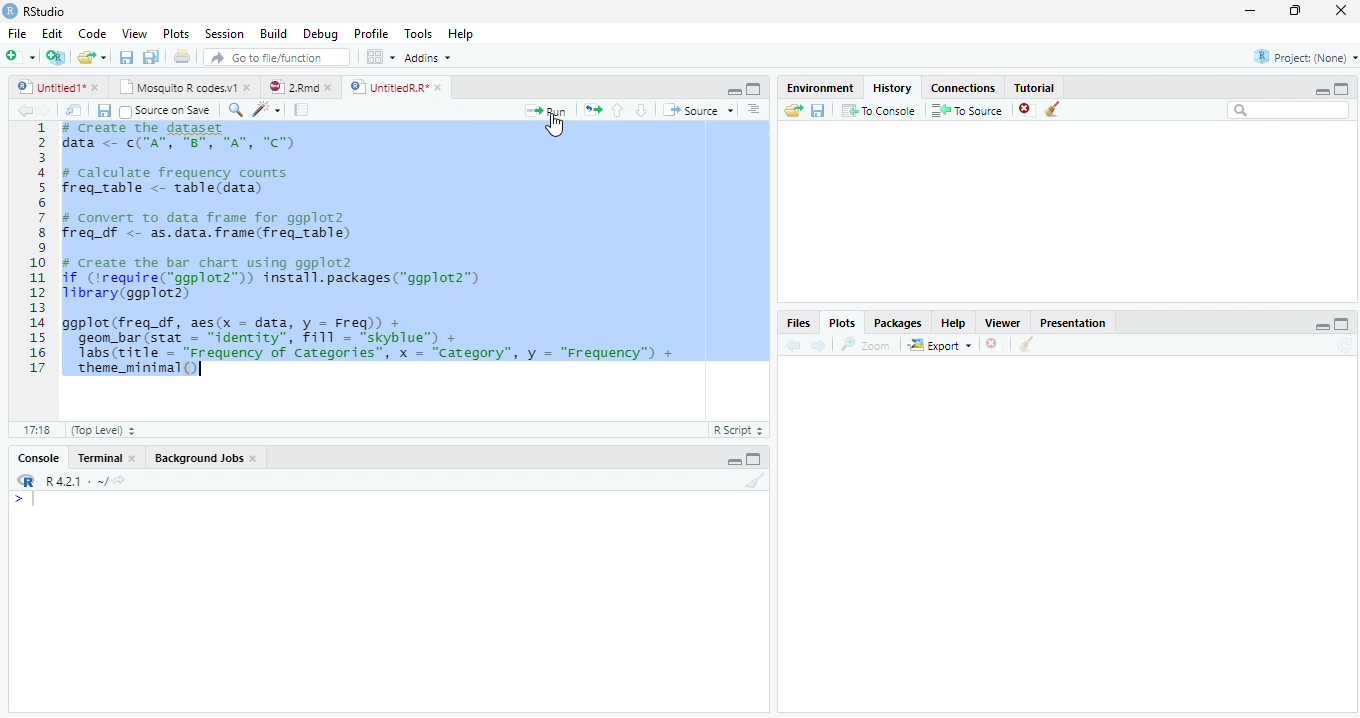 The height and width of the screenshot is (718, 1360). What do you see at coordinates (52, 35) in the screenshot?
I see `Edit` at bounding box center [52, 35].